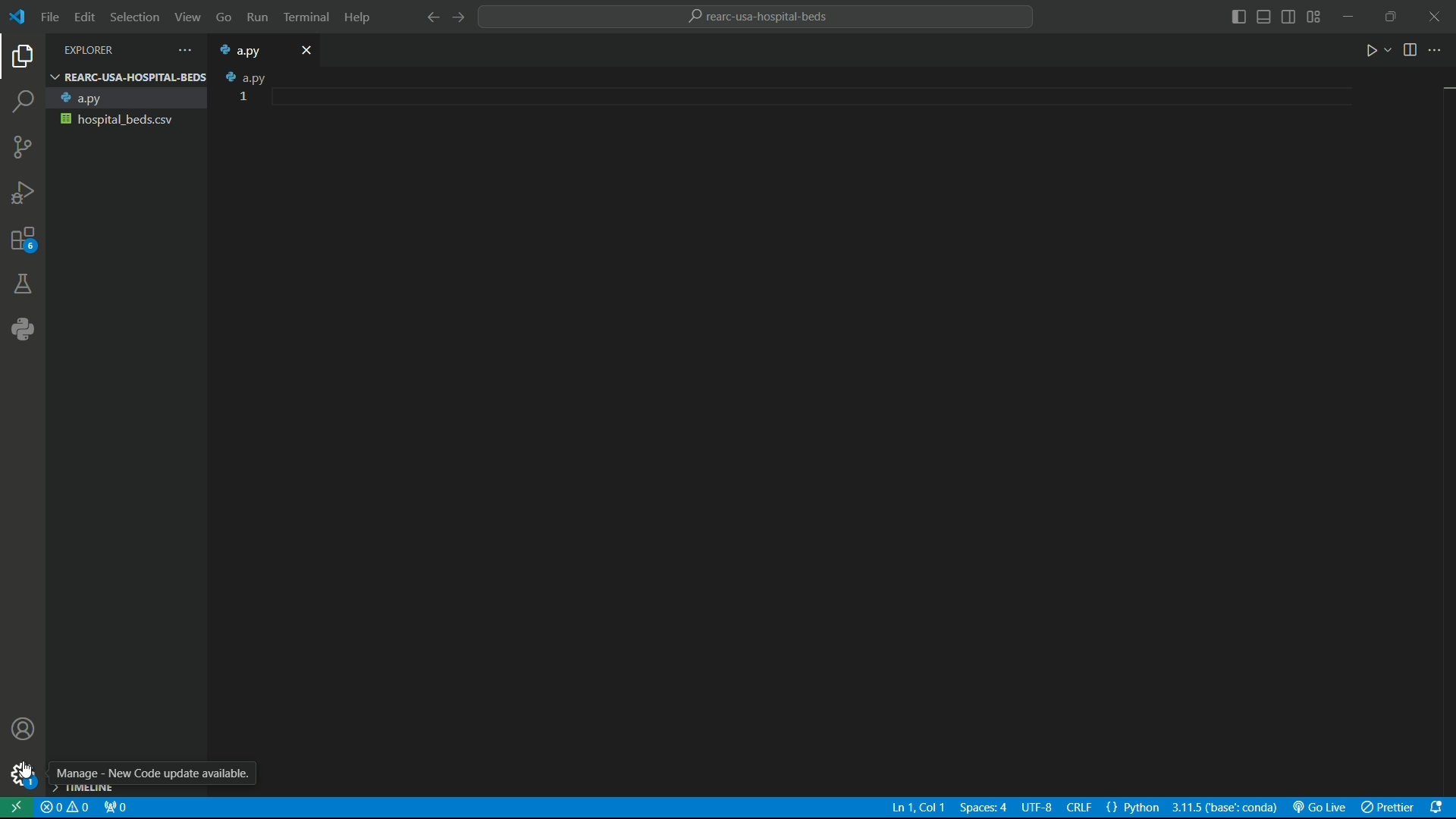 Image resolution: width=1456 pixels, height=819 pixels. What do you see at coordinates (184, 17) in the screenshot?
I see `view menu` at bounding box center [184, 17].